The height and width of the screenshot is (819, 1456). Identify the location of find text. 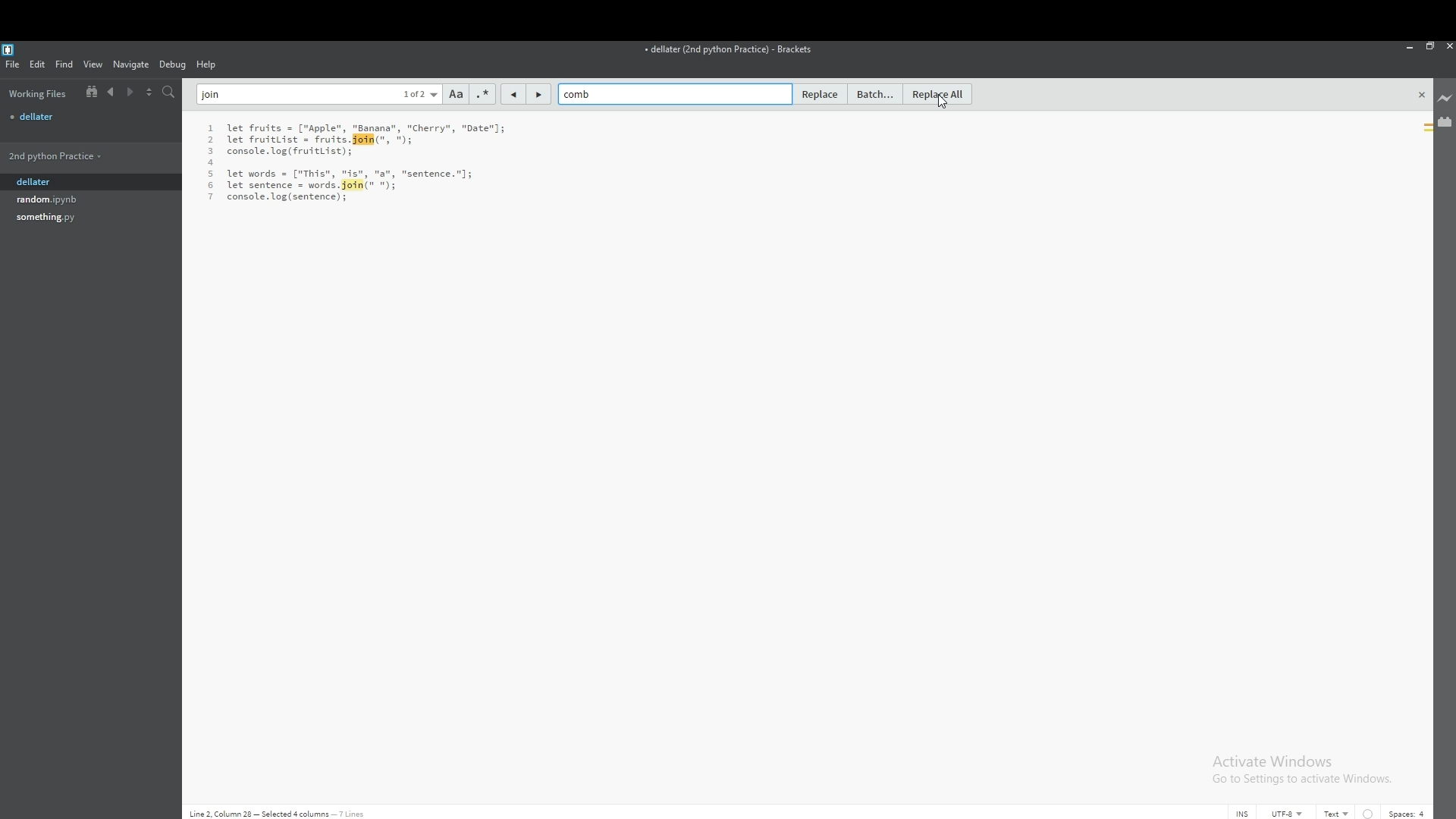
(319, 94).